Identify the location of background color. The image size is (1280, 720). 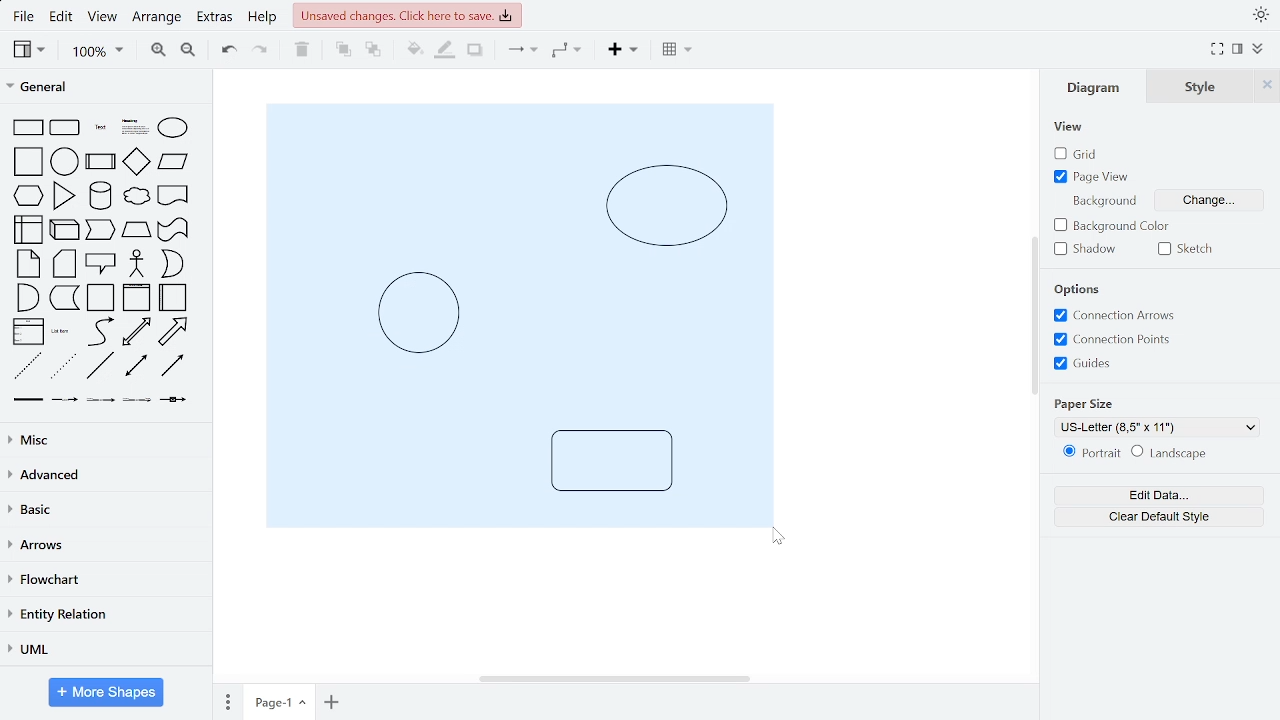
(1113, 226).